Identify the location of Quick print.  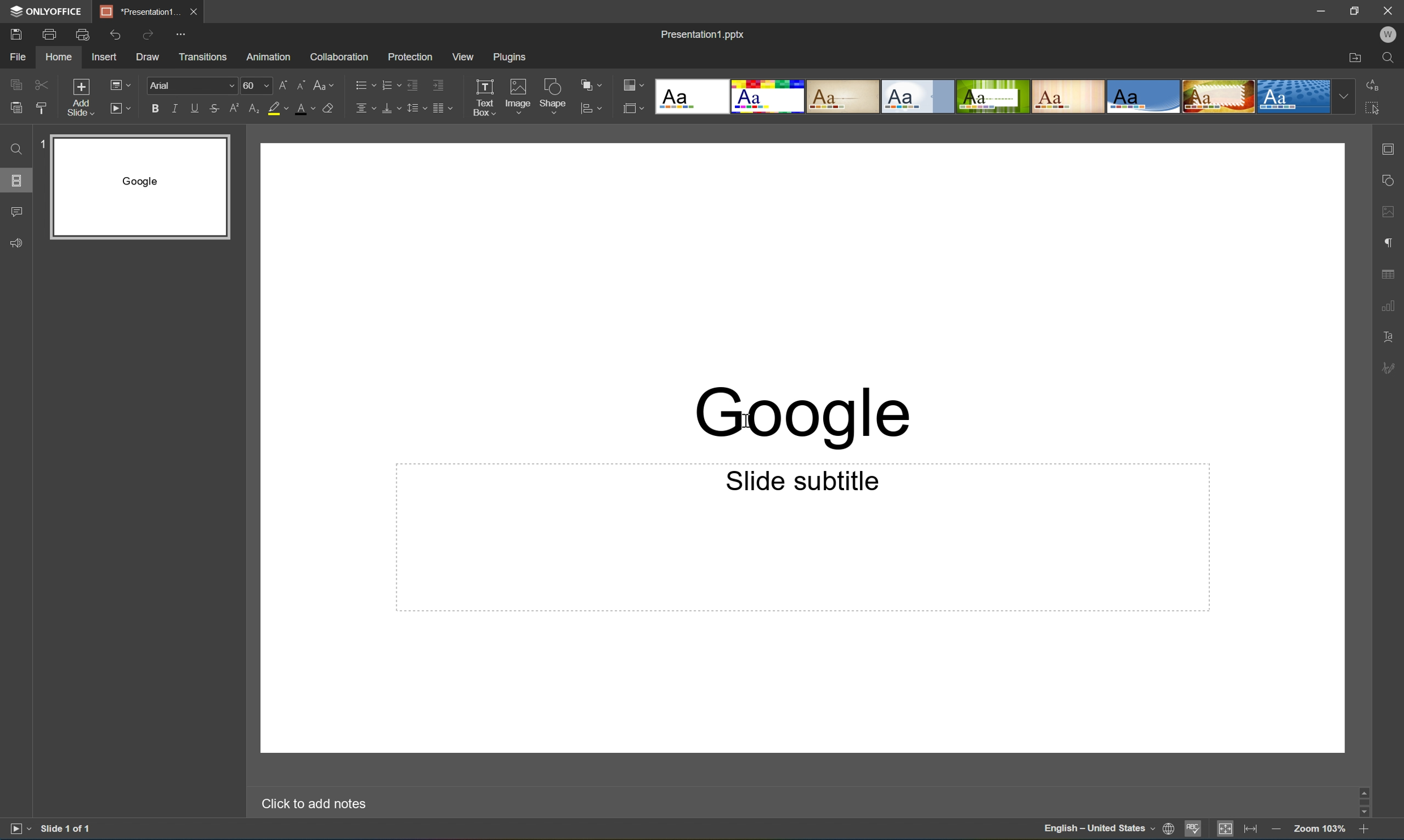
(84, 35).